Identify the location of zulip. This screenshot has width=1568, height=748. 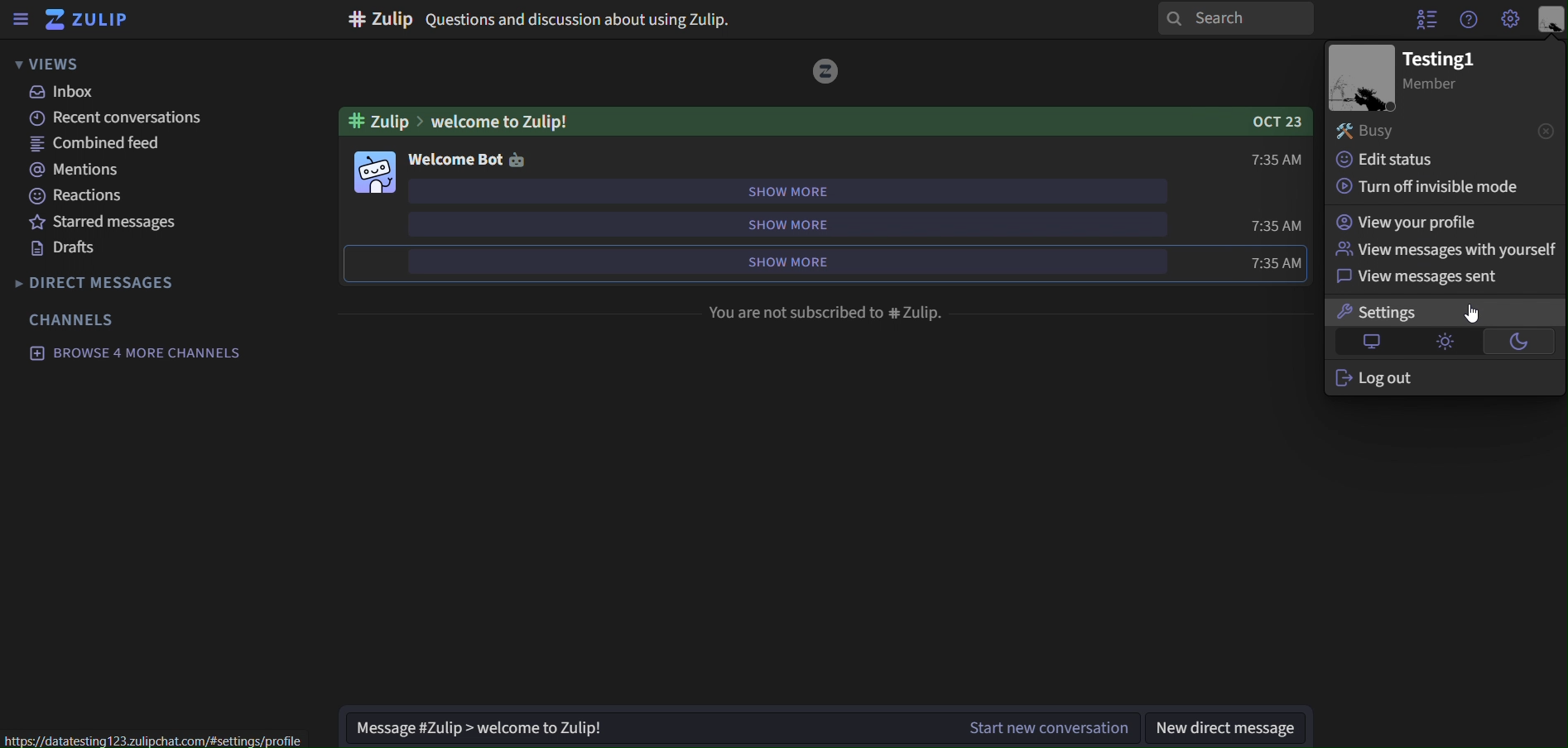
(84, 20).